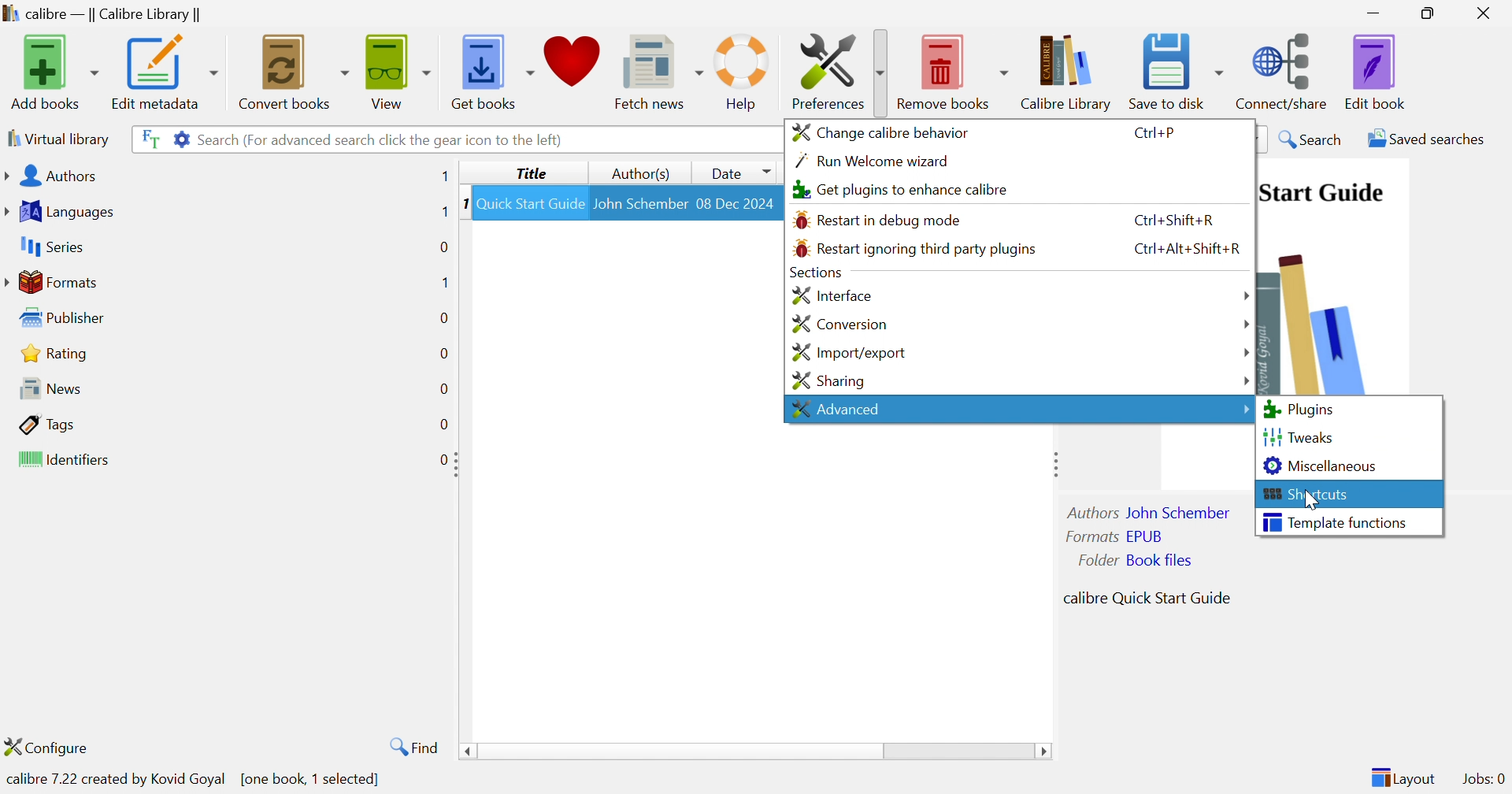 The width and height of the screenshot is (1512, 794). Describe the element at coordinates (411, 746) in the screenshot. I see `Find` at that location.